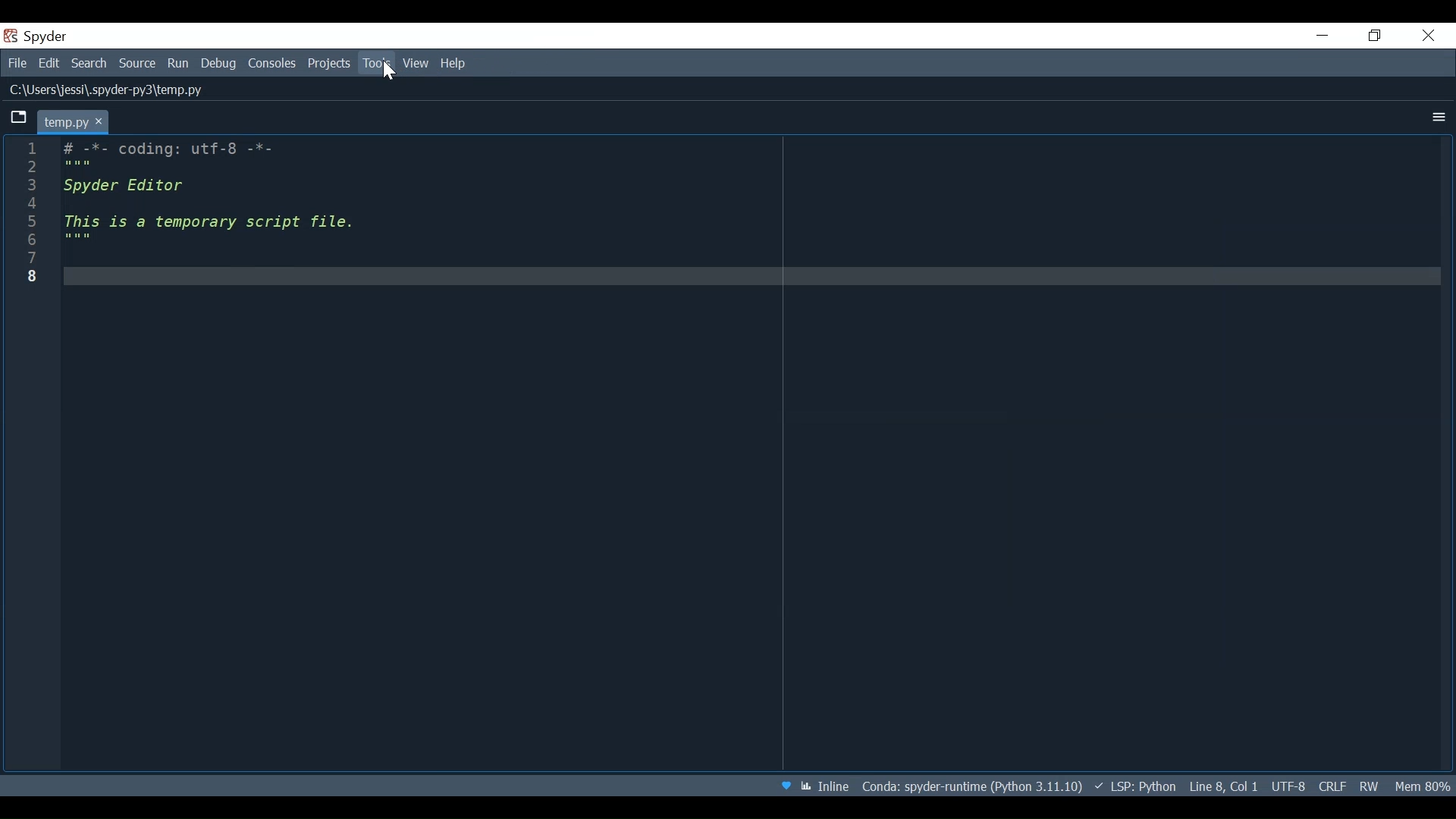 The height and width of the screenshot is (819, 1456). What do you see at coordinates (331, 63) in the screenshot?
I see `Projects` at bounding box center [331, 63].